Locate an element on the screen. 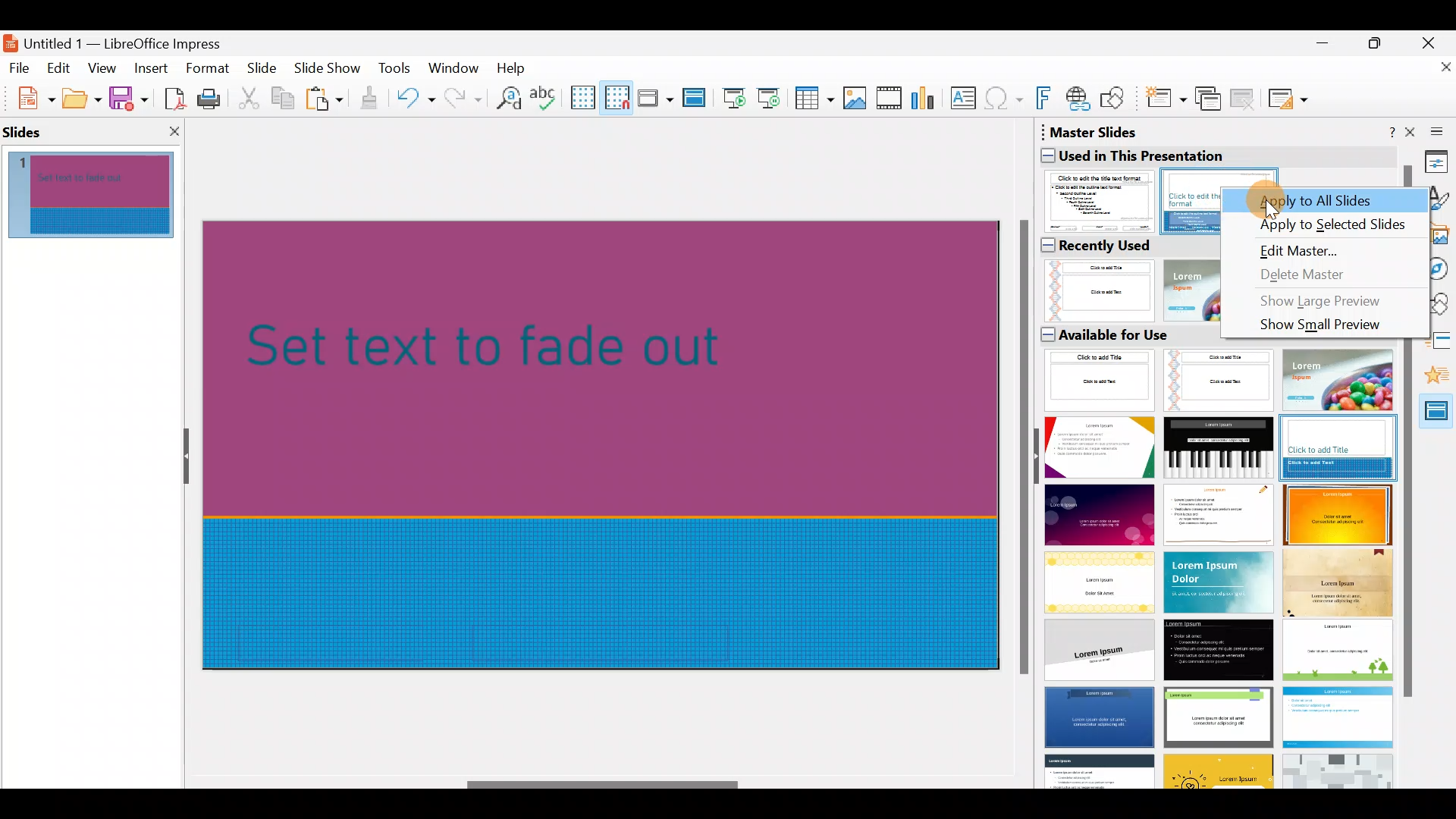 Image resolution: width=1456 pixels, height=819 pixels. Document name is located at coordinates (124, 39).